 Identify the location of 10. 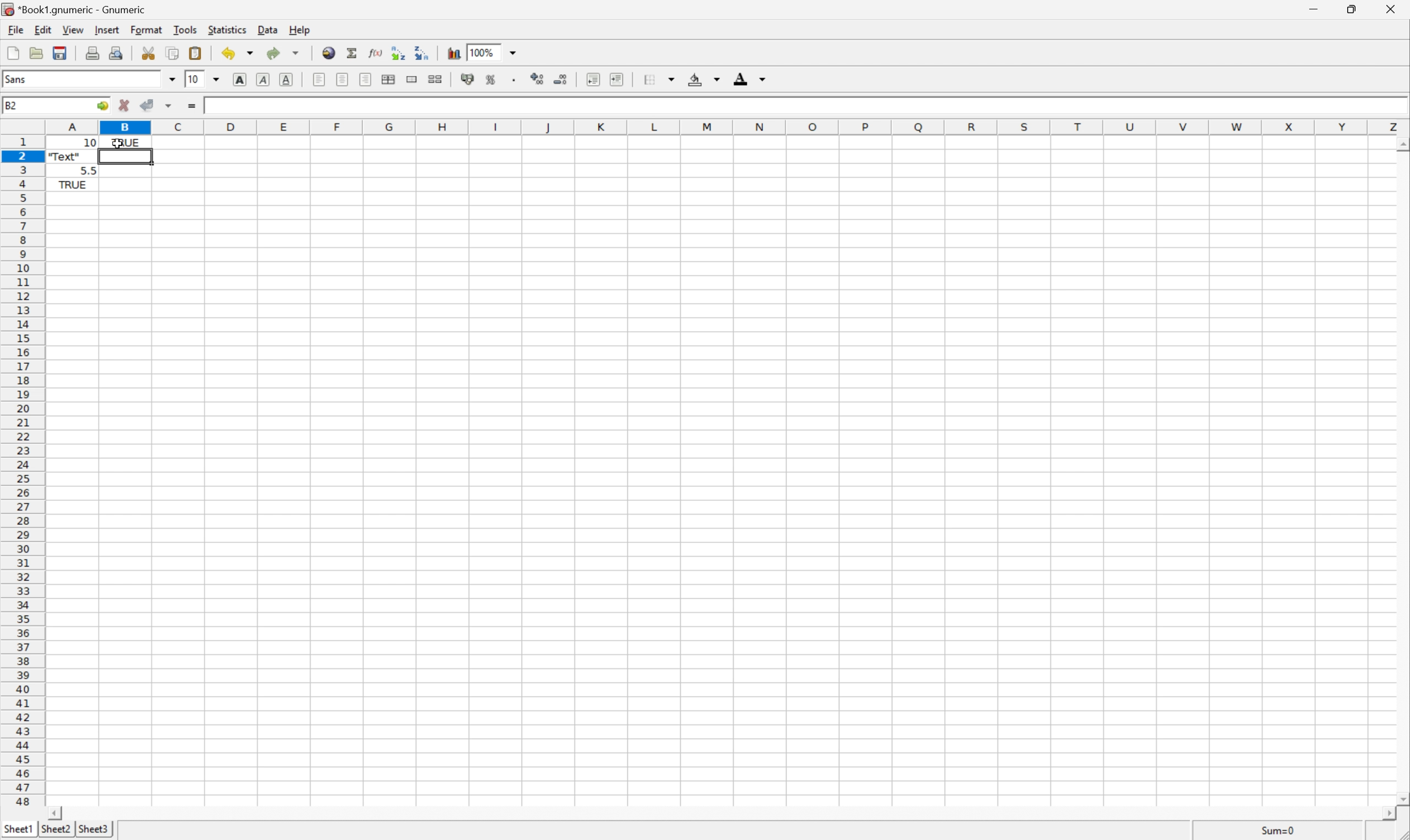
(72, 143).